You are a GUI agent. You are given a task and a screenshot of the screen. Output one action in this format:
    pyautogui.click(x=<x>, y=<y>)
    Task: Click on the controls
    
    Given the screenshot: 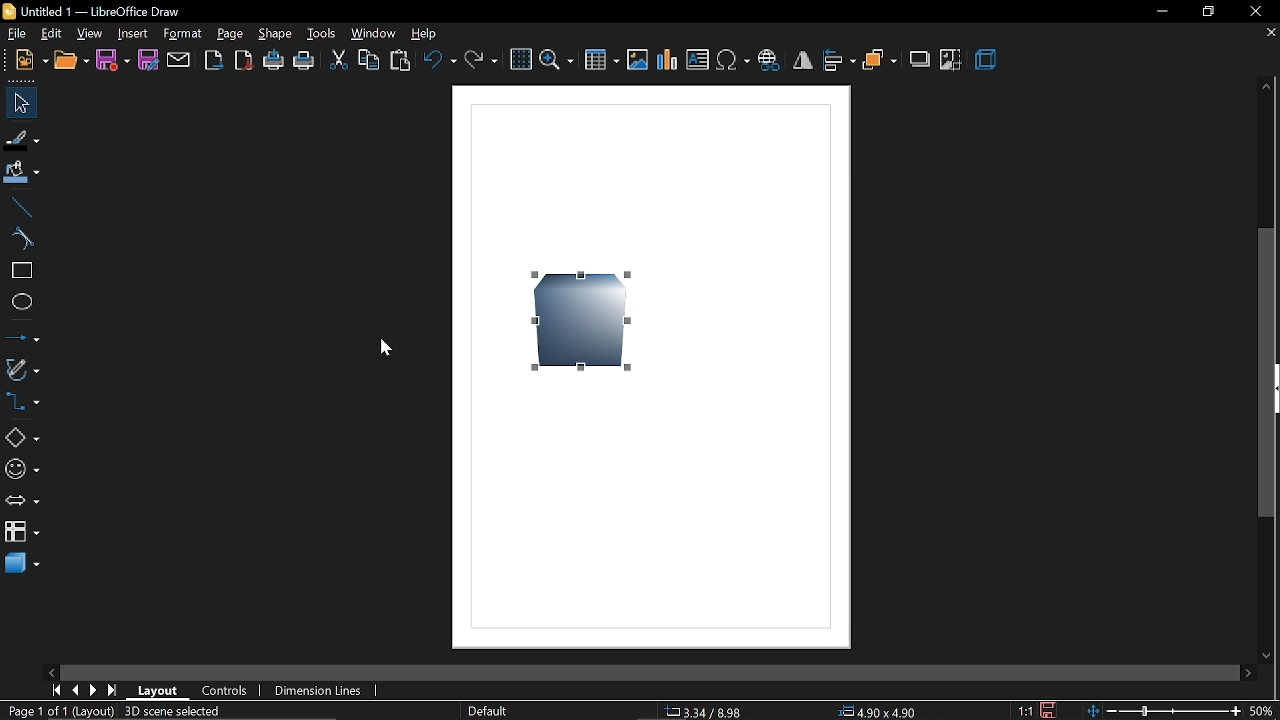 What is the action you would take?
    pyautogui.click(x=227, y=691)
    